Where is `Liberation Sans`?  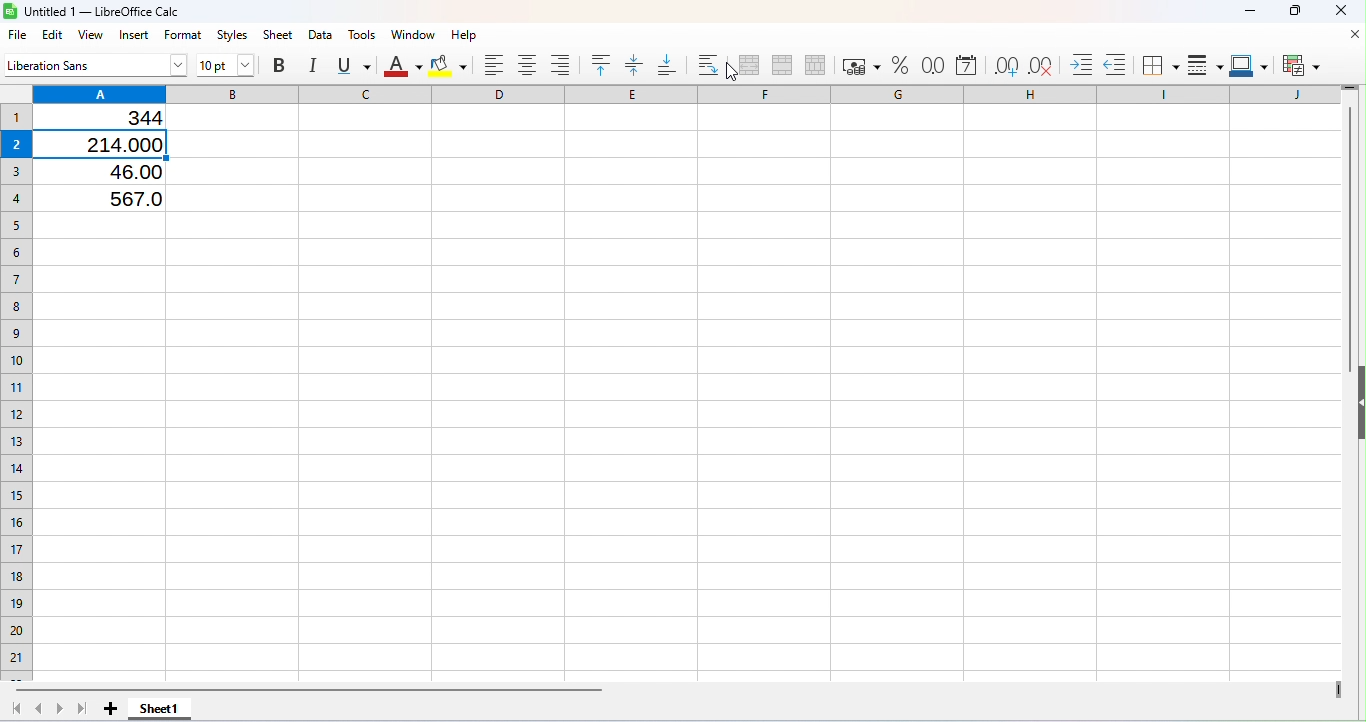 Liberation Sans is located at coordinates (97, 66).